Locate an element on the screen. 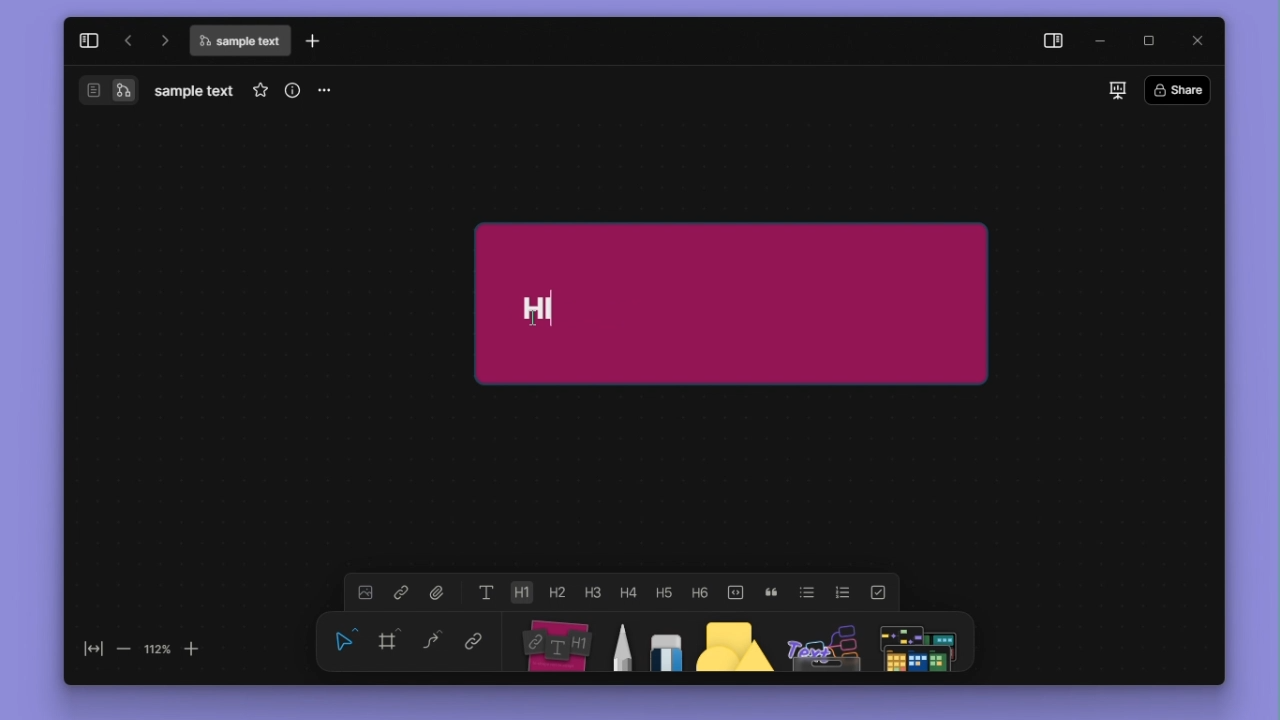 This screenshot has width=1280, height=720. Heading 6 is located at coordinates (698, 591).